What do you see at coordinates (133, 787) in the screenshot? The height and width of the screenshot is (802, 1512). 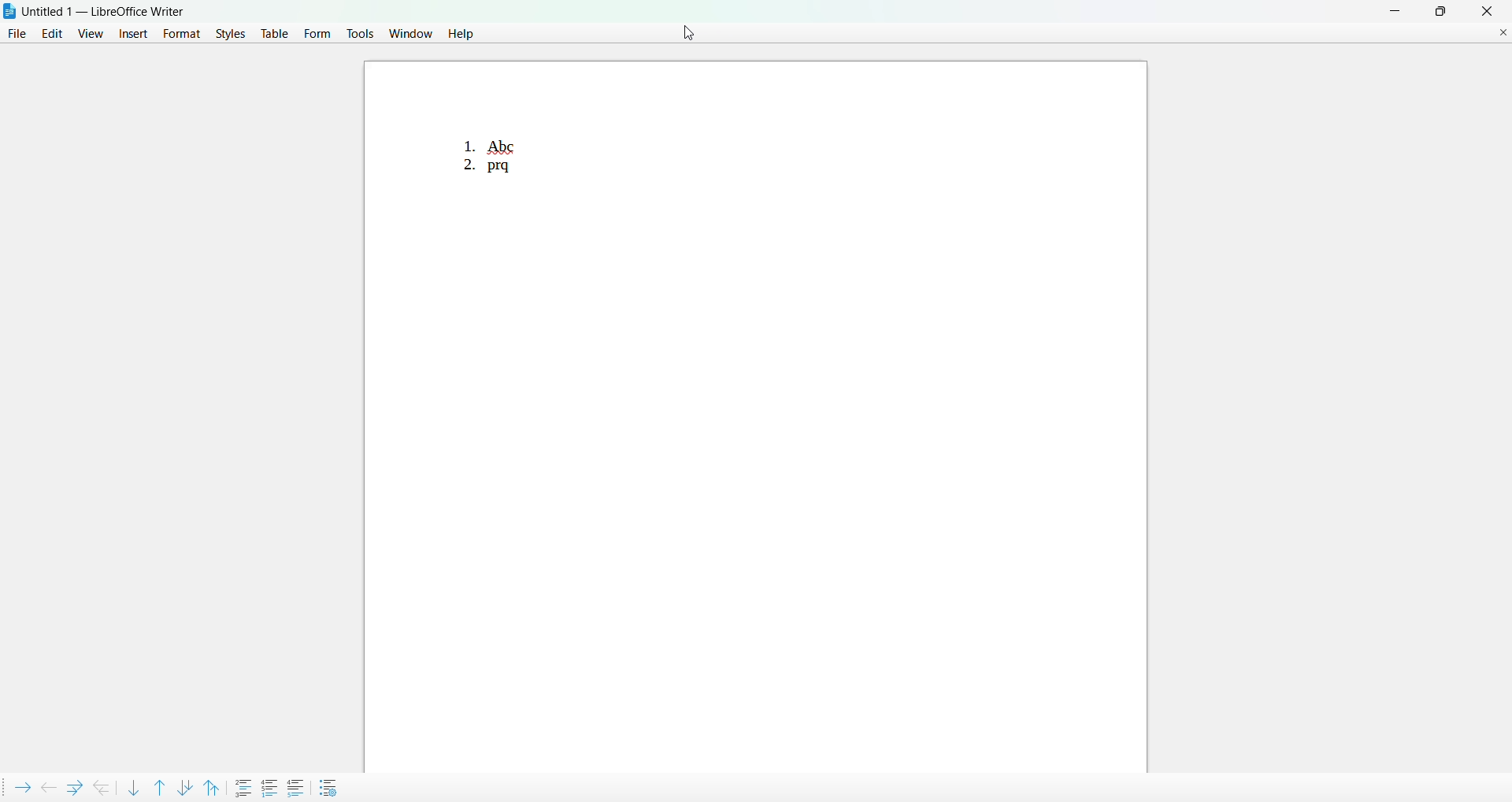 I see `move item down` at bounding box center [133, 787].